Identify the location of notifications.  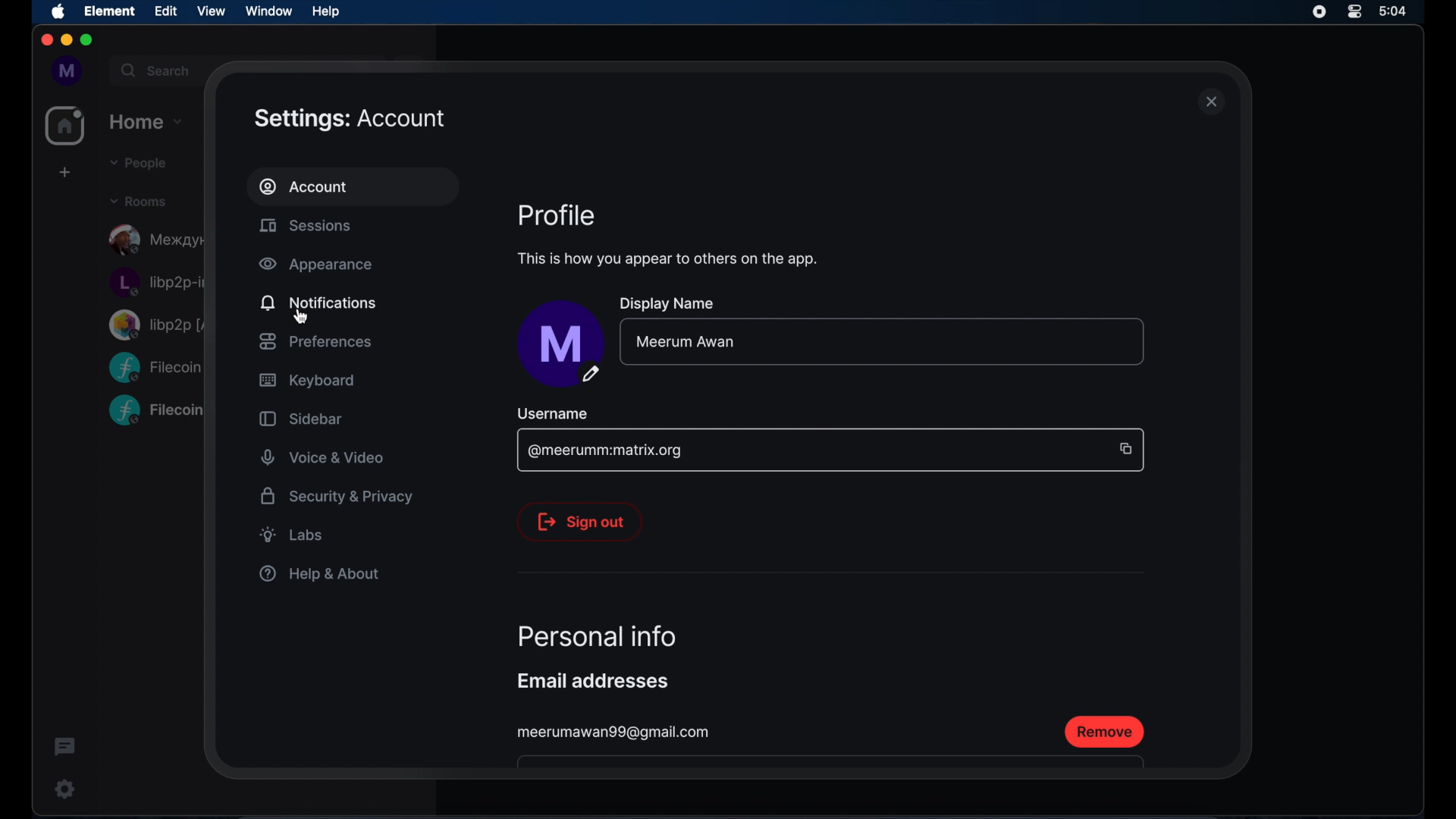
(318, 302).